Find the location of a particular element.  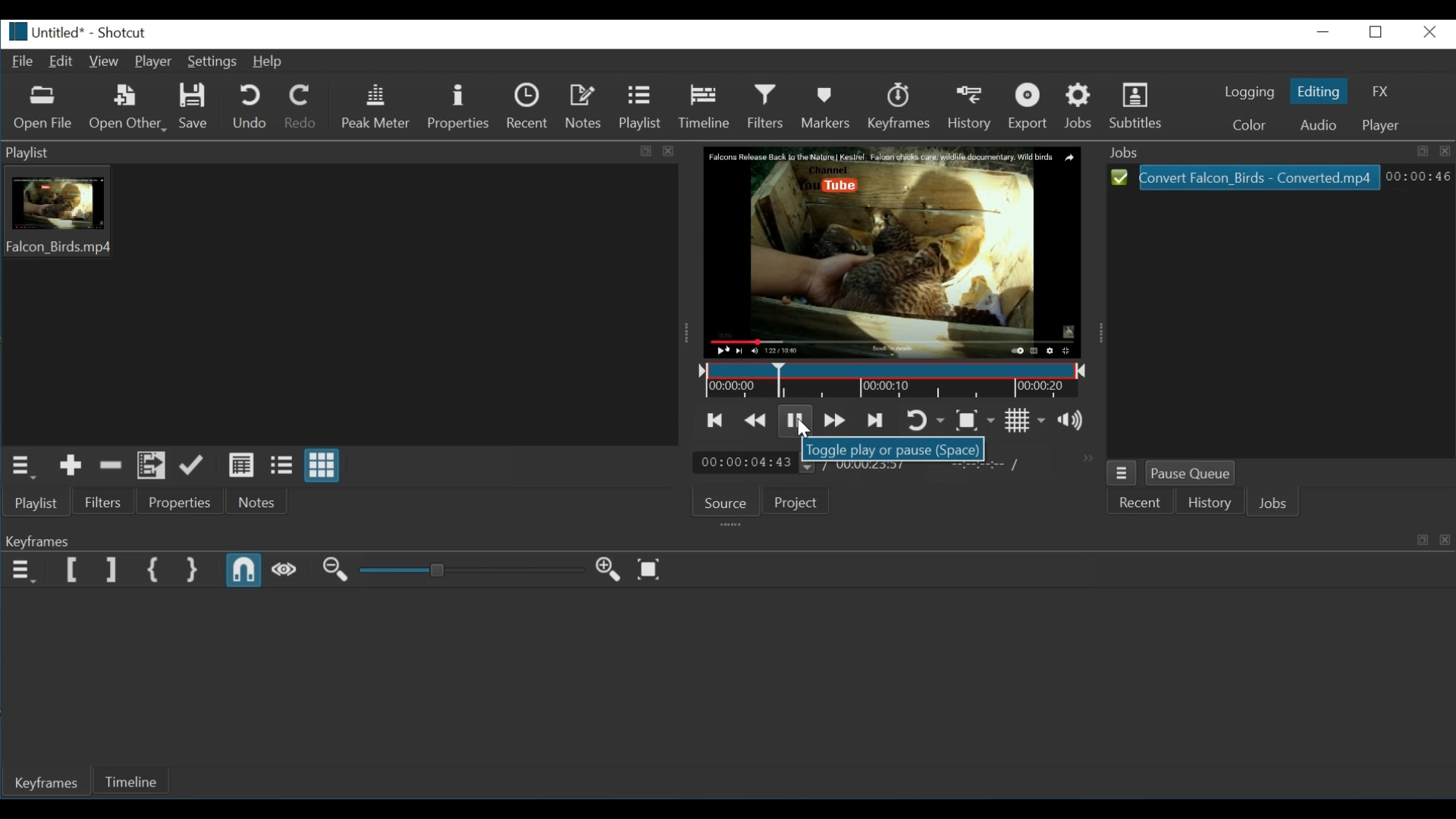

Toggle play or pause(Space) is located at coordinates (899, 450).